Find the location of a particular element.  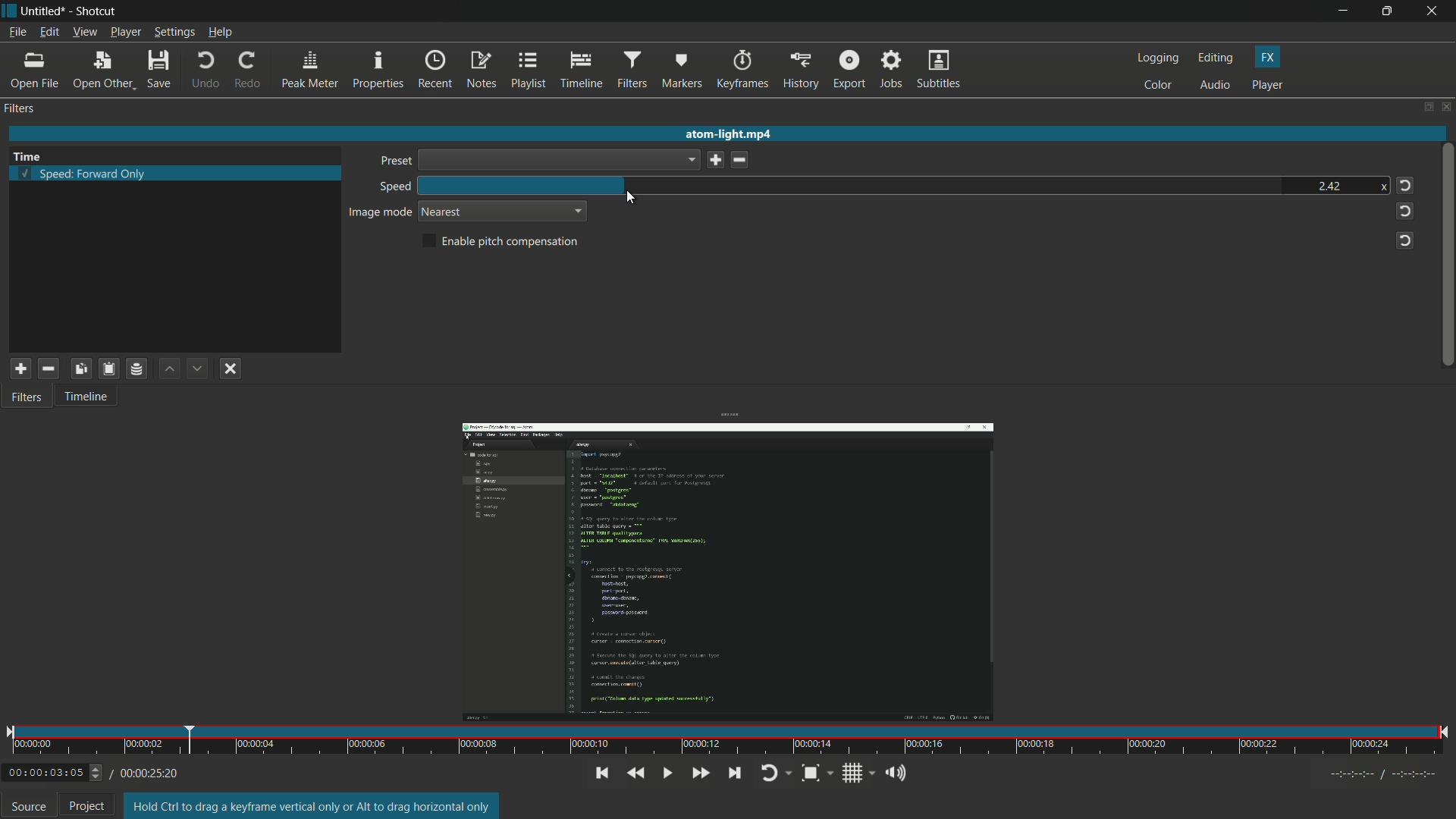

reset to default is located at coordinates (1404, 239).